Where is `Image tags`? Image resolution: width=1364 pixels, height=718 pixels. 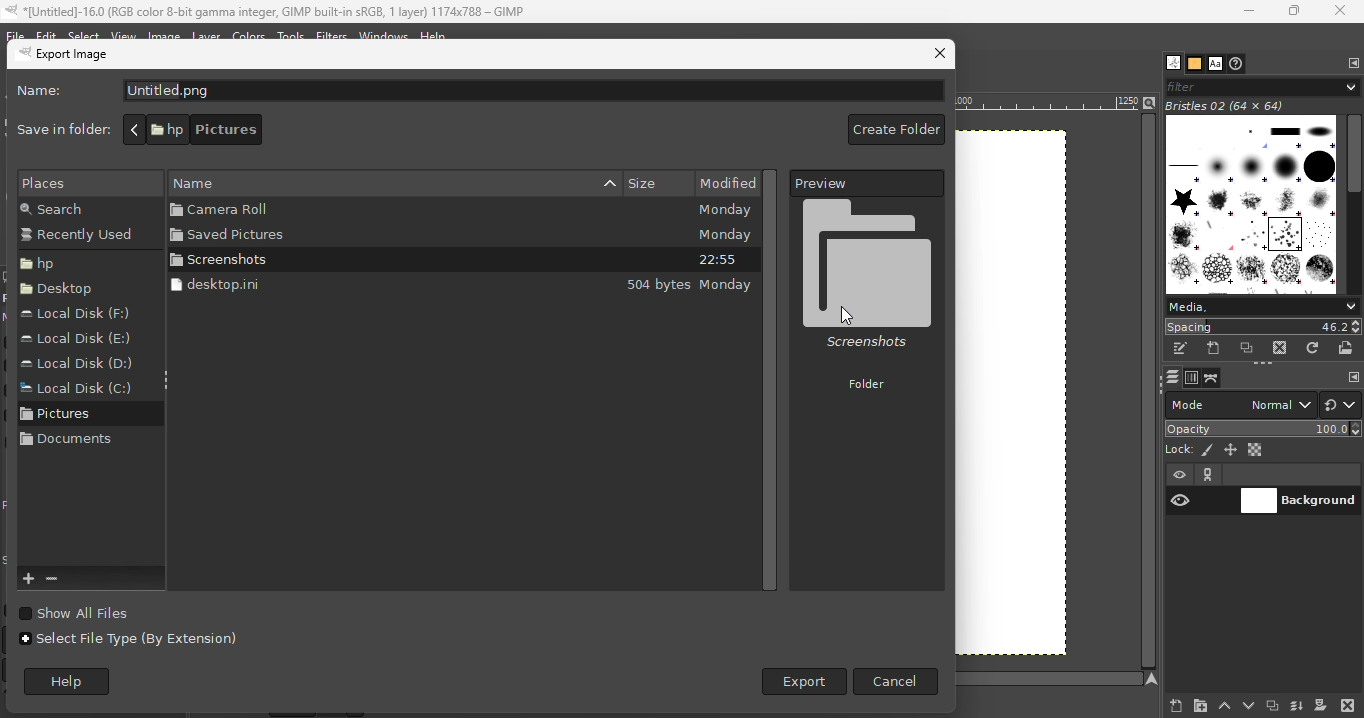
Image tags is located at coordinates (1253, 206).